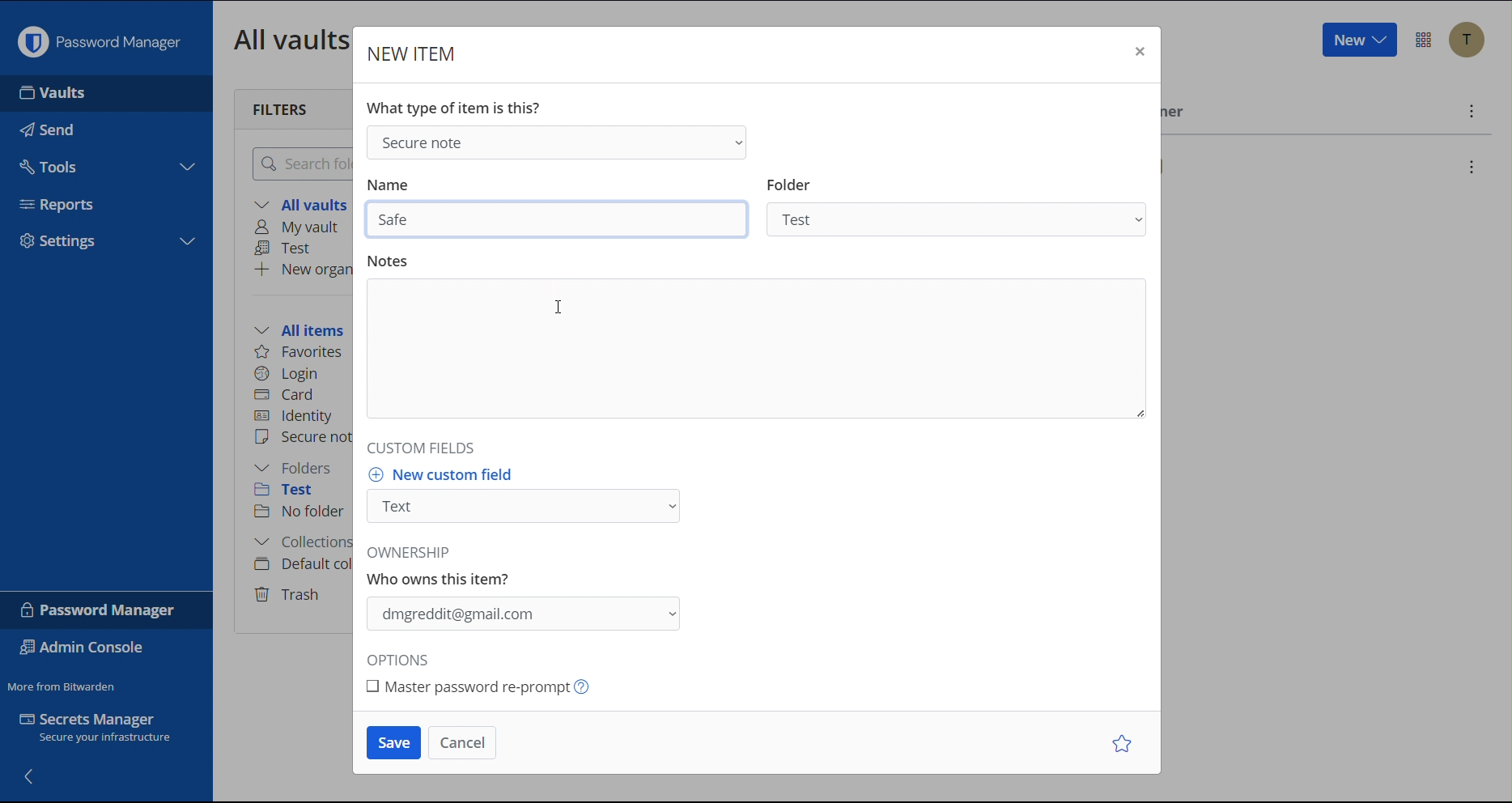  What do you see at coordinates (107, 239) in the screenshot?
I see `Settings` at bounding box center [107, 239].